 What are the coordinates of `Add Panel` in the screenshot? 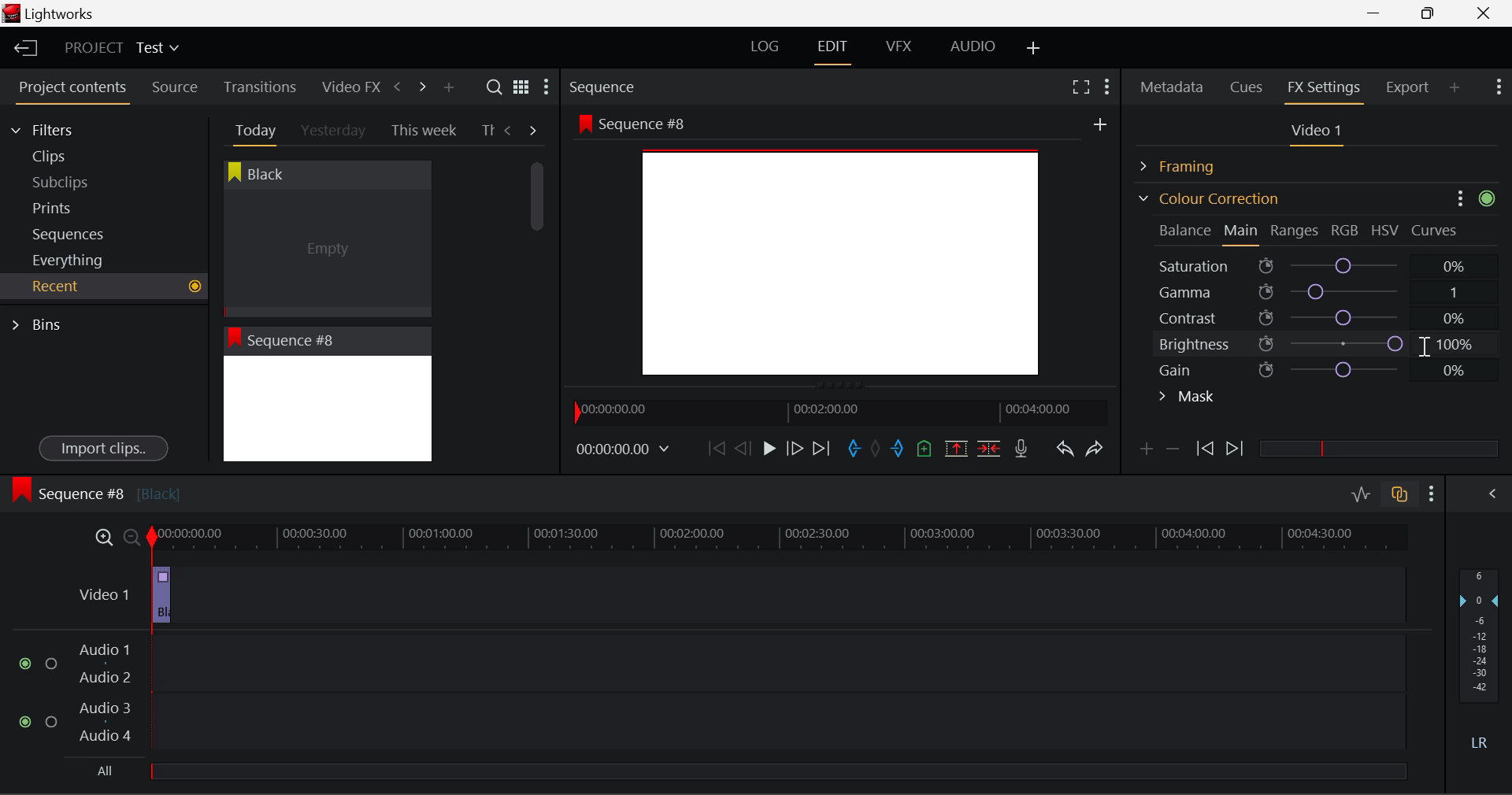 It's located at (1455, 87).